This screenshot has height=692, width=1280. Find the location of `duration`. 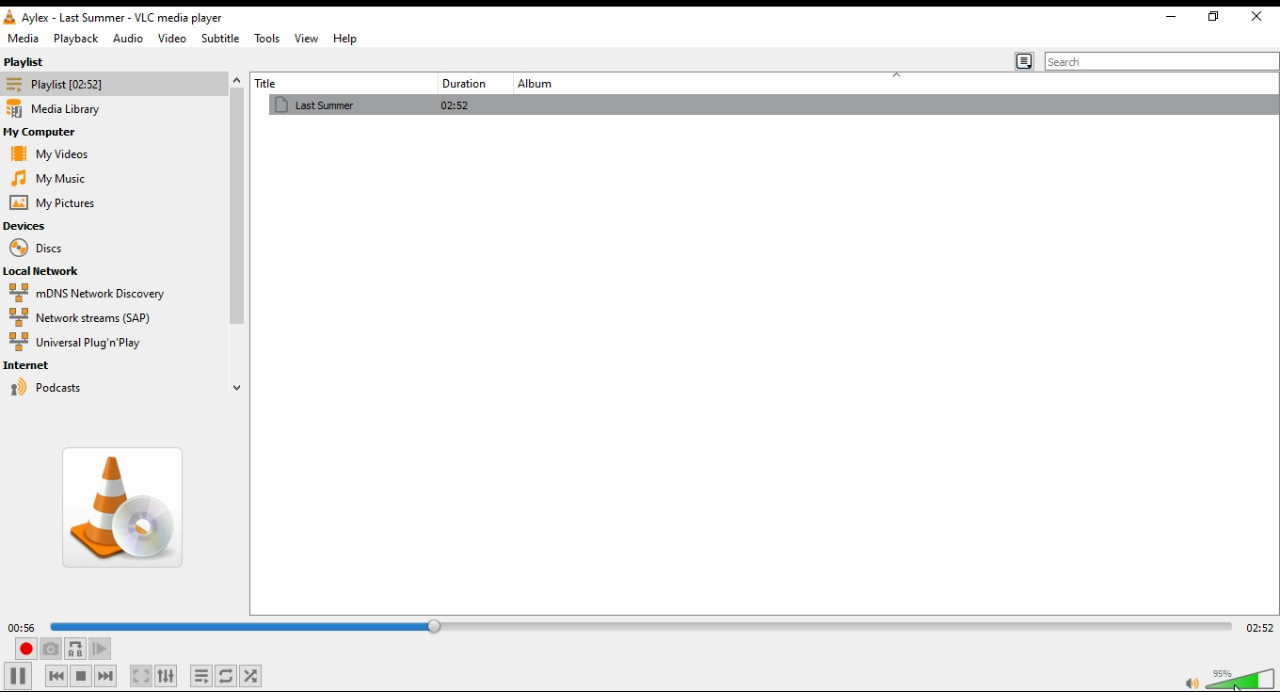

duration is located at coordinates (462, 83).